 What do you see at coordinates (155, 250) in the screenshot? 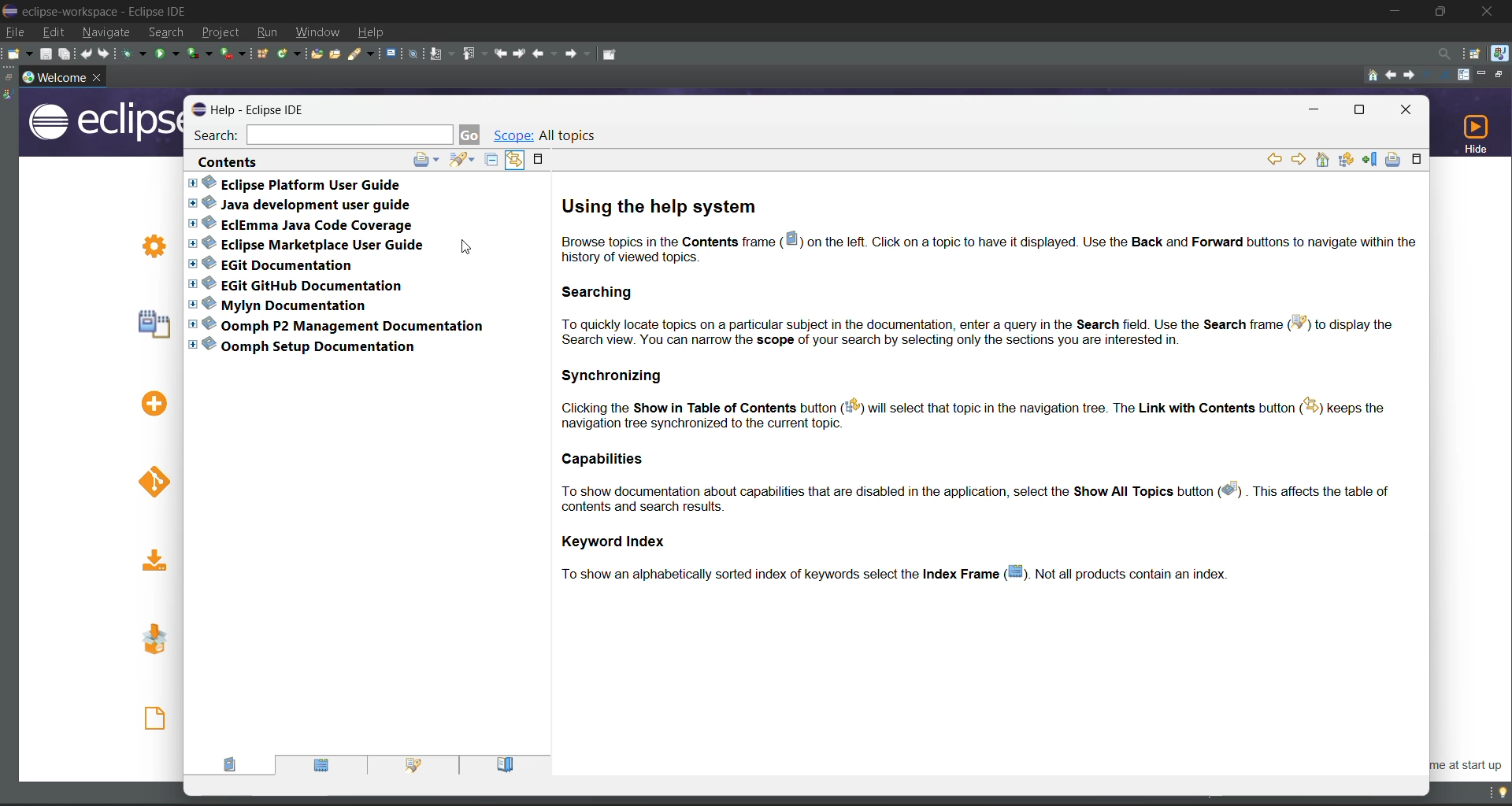
I see `Review IDE` at bounding box center [155, 250].